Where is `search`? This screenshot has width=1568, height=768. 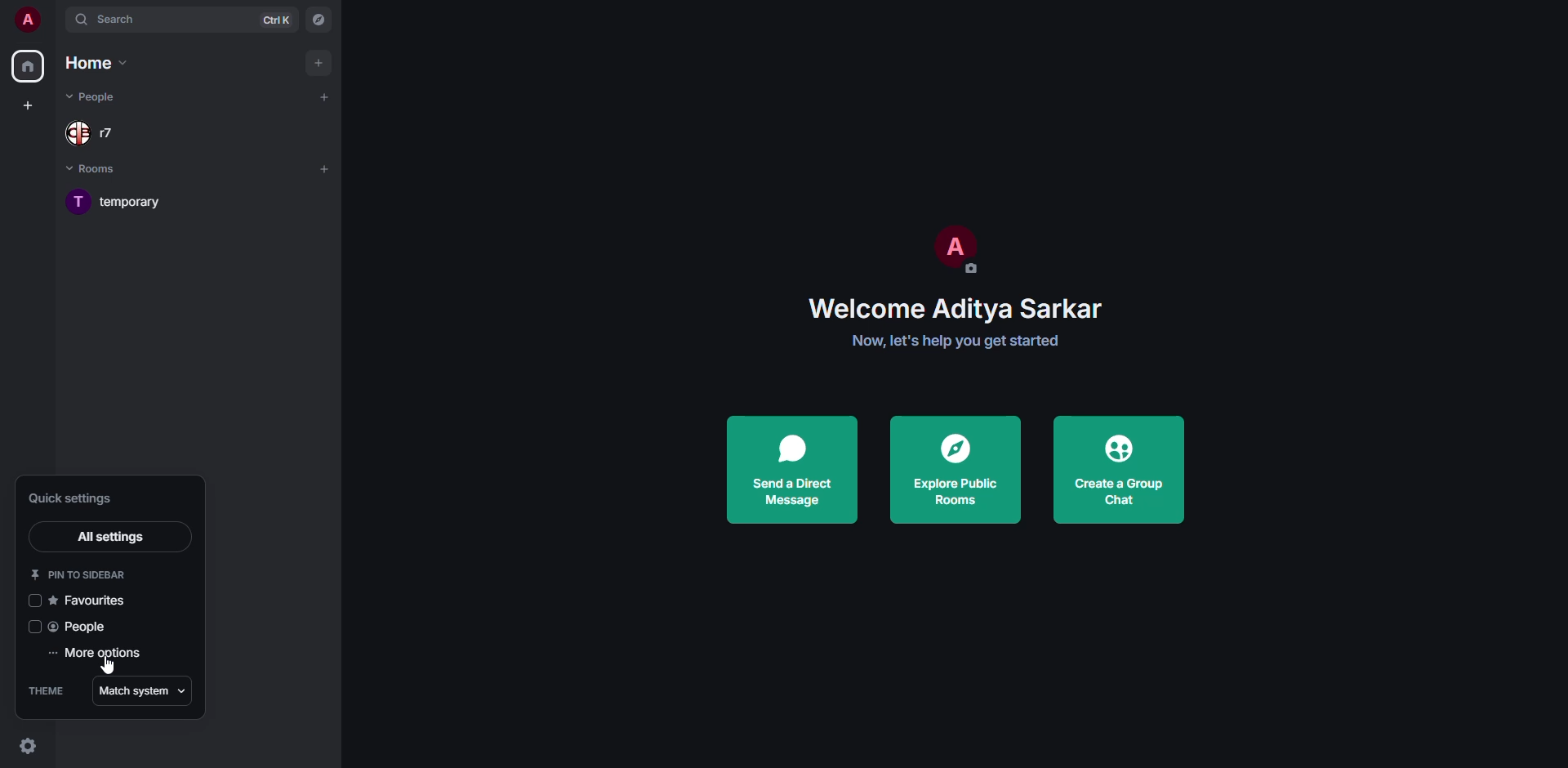
search is located at coordinates (114, 20).